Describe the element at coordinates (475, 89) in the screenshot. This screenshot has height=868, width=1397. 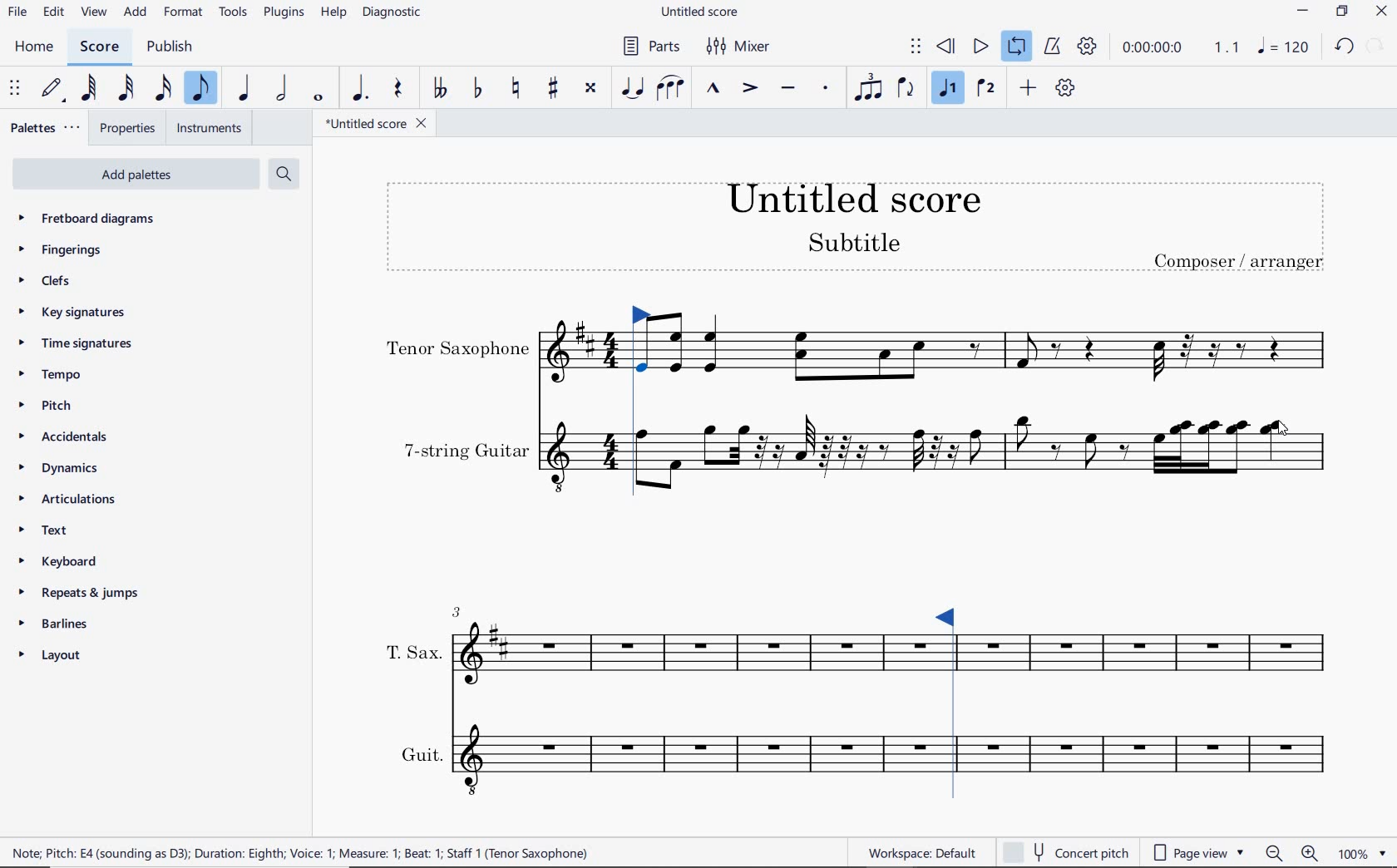
I see `TOGGLE FLAT` at that location.